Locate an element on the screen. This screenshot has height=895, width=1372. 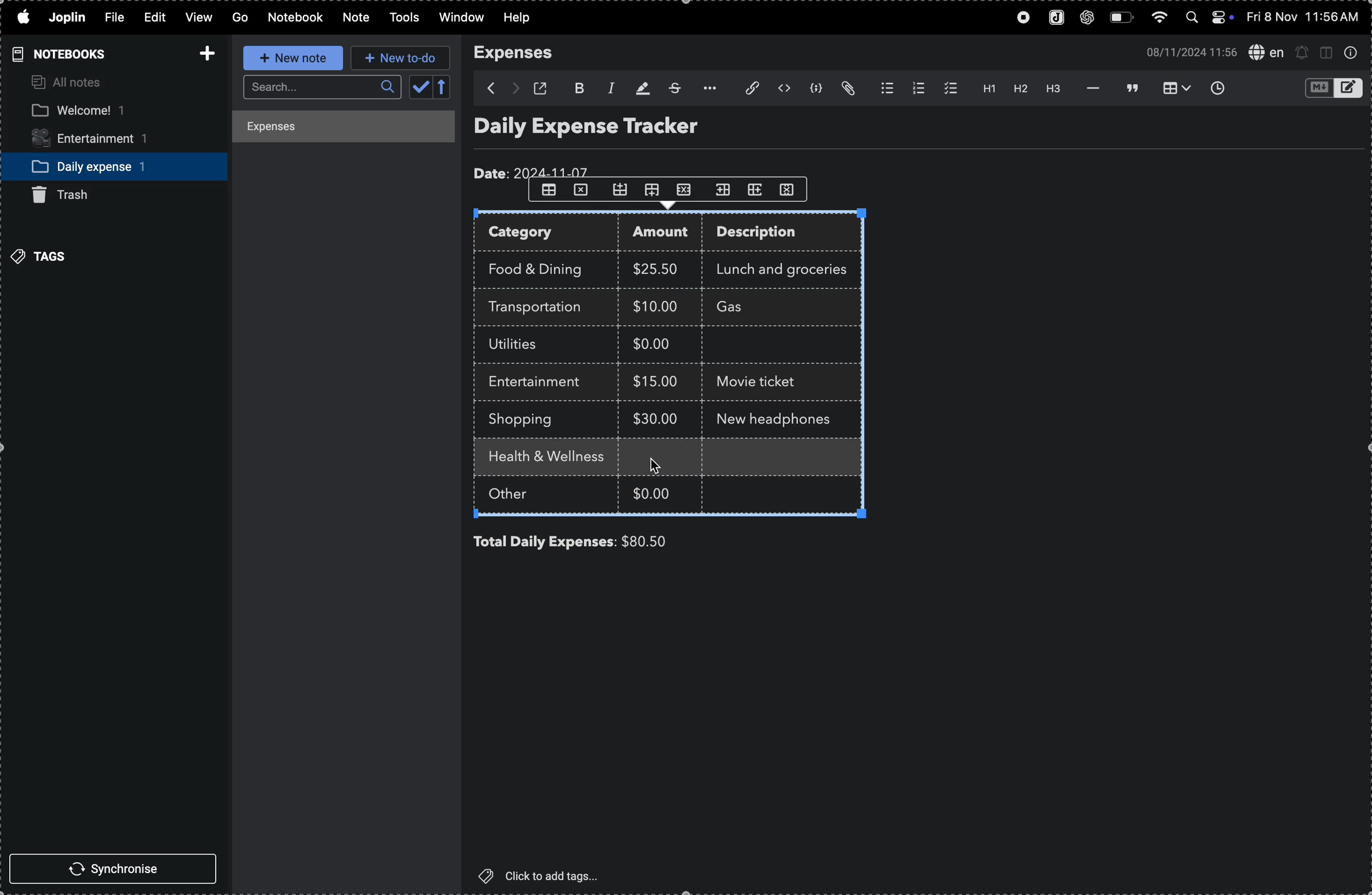
apple menu is located at coordinates (22, 18).